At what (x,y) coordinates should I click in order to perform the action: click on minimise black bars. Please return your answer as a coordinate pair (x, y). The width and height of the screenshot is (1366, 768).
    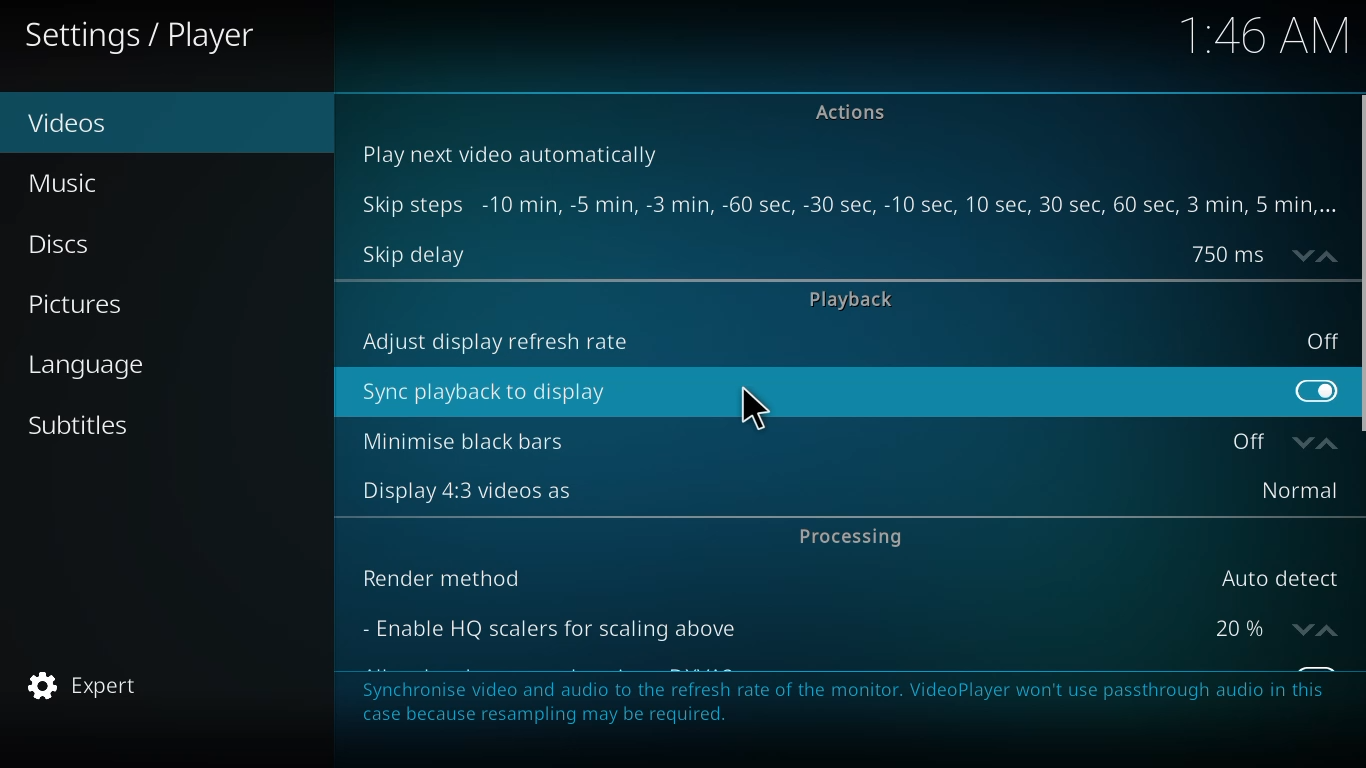
    Looking at the image, I should click on (466, 441).